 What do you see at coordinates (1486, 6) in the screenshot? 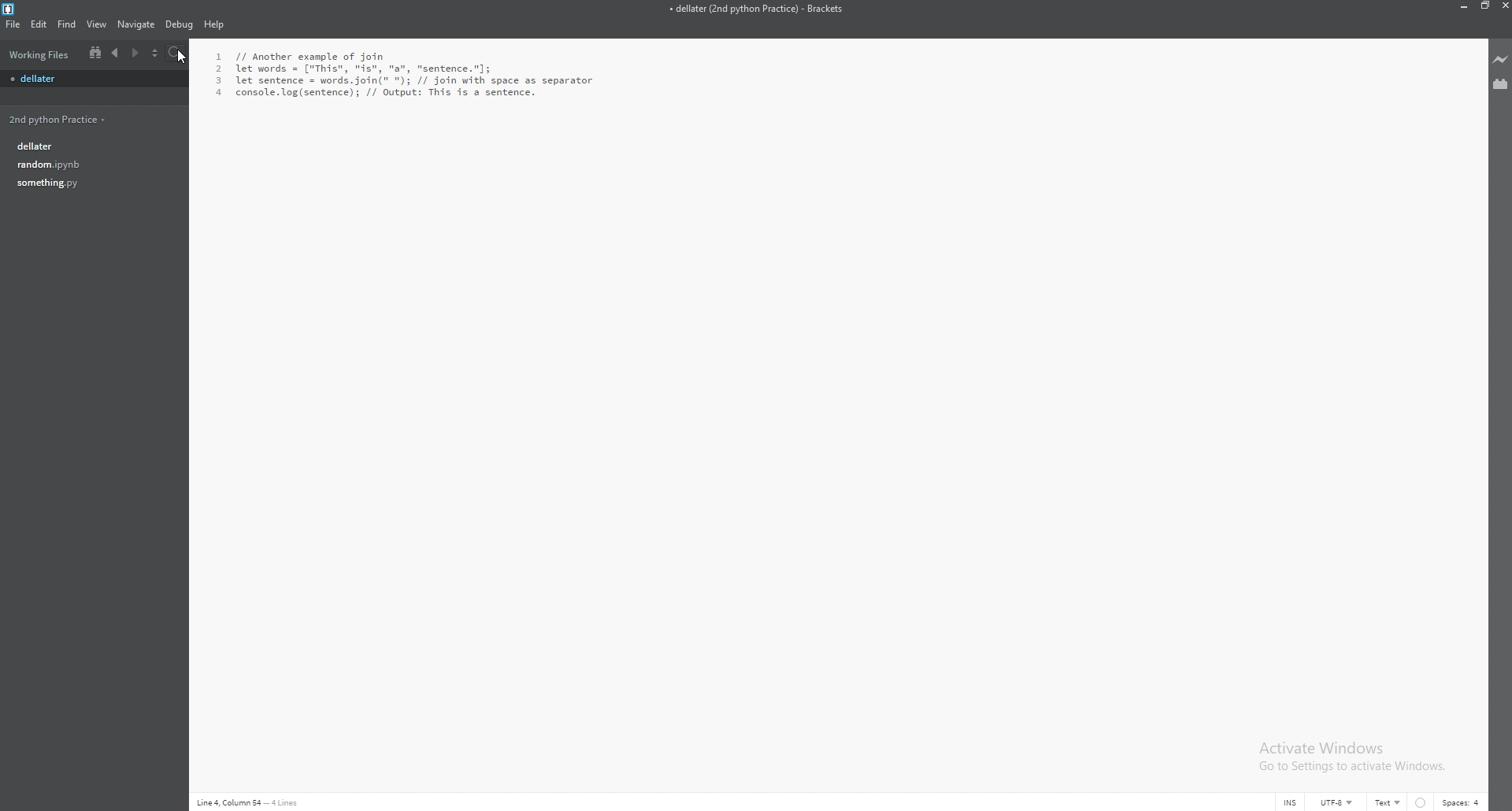
I see `resize` at bounding box center [1486, 6].